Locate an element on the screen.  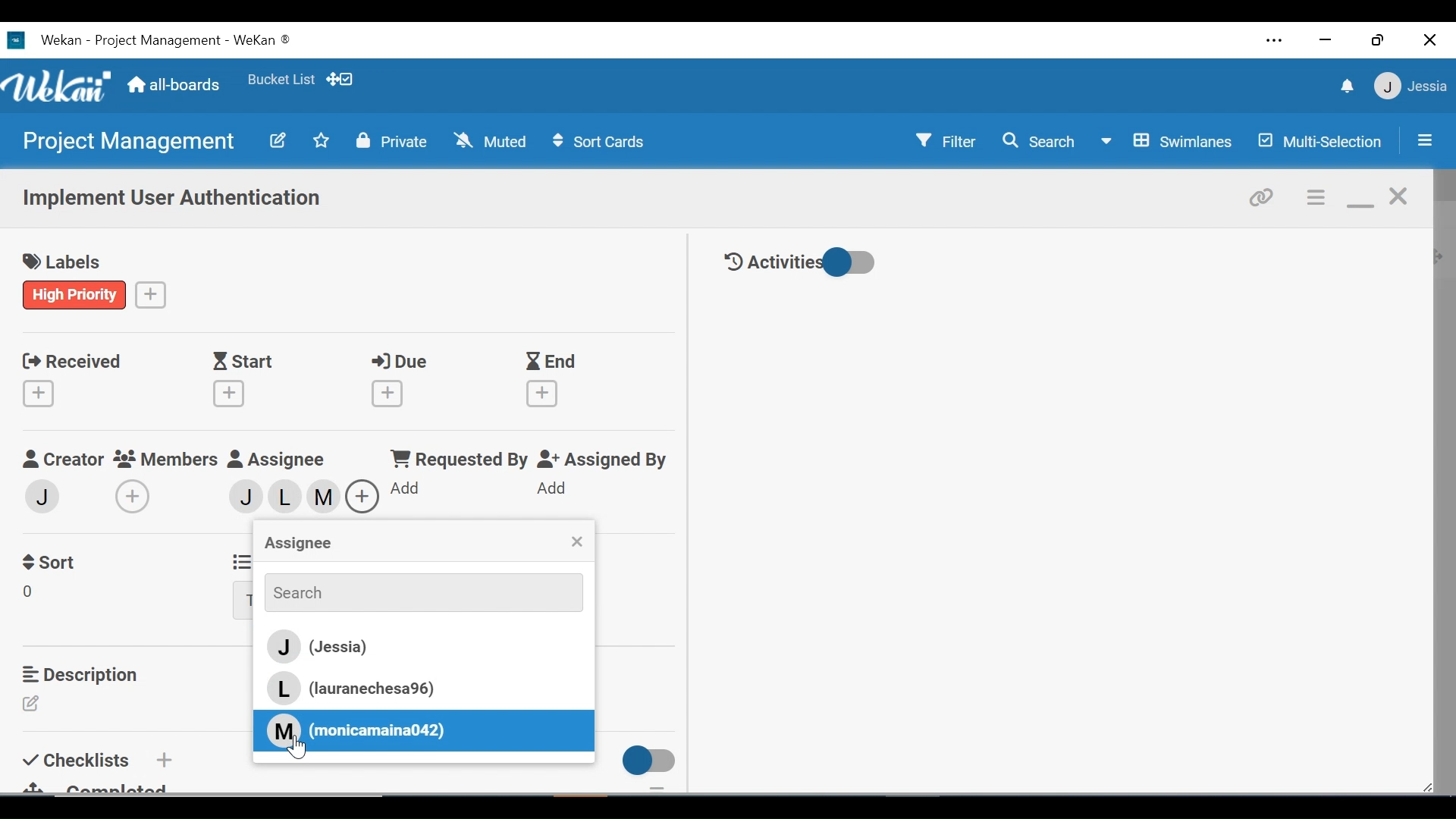
Card actions is located at coordinates (1317, 198).